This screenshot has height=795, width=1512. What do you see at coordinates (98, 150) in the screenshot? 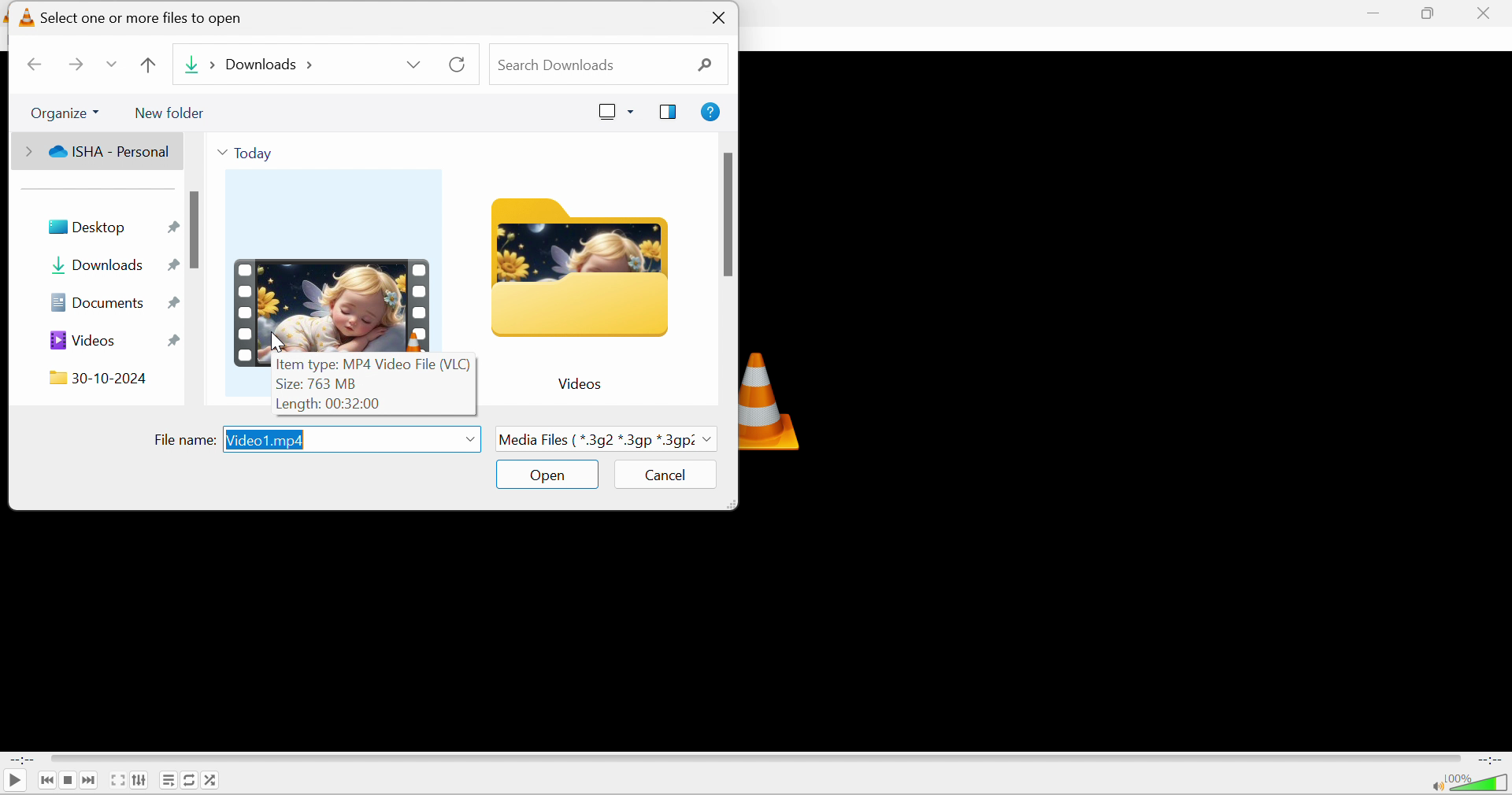
I see `ISHA - Personal` at bounding box center [98, 150].